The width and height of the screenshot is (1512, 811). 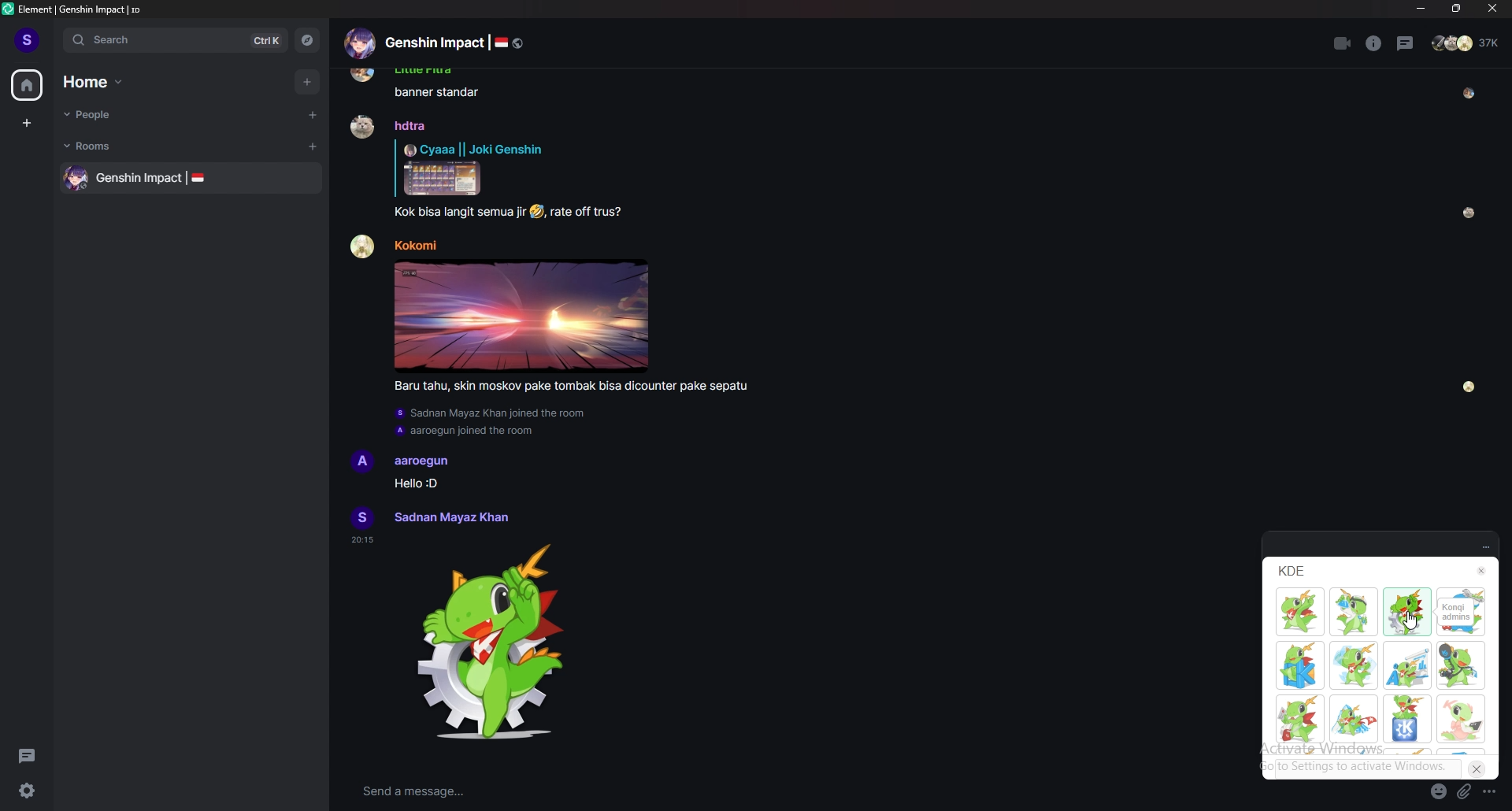 I want to click on close, so click(x=1489, y=9).